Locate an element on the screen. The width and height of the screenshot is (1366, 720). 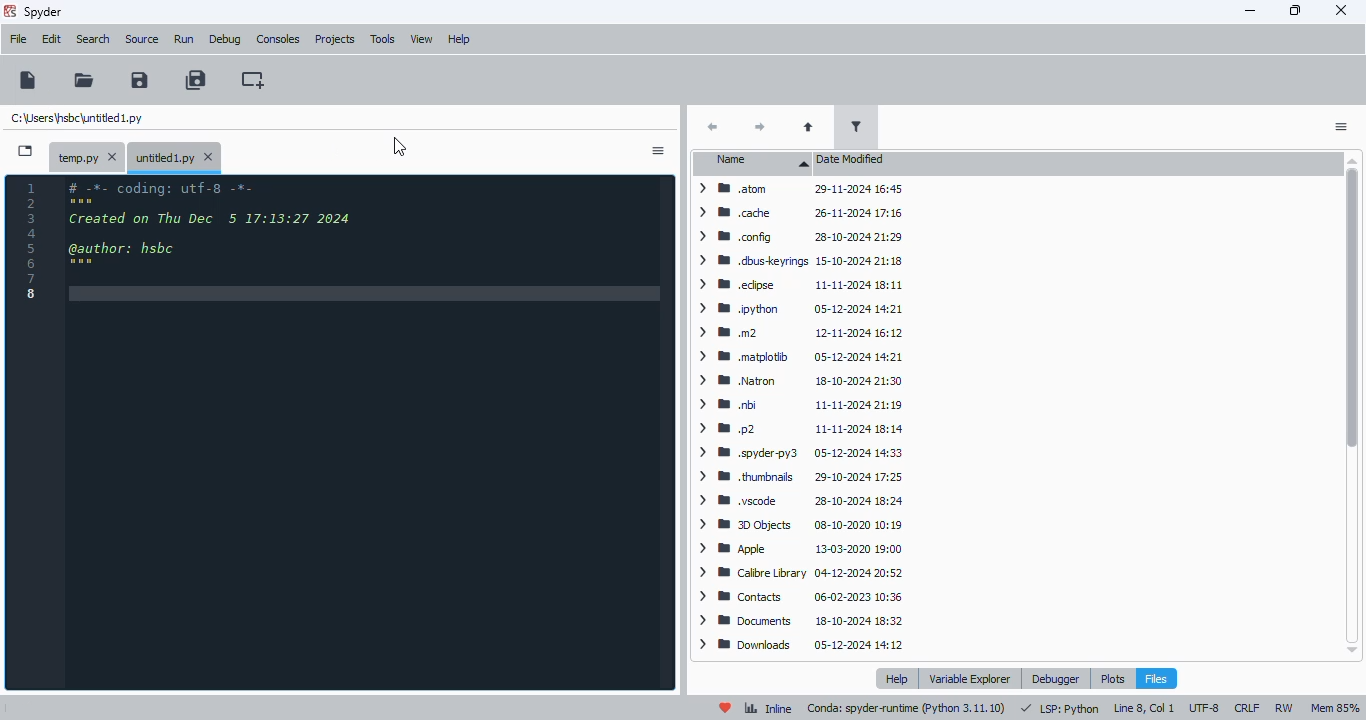
> BW Natron 18-10-2024 21:30 is located at coordinates (797, 382).